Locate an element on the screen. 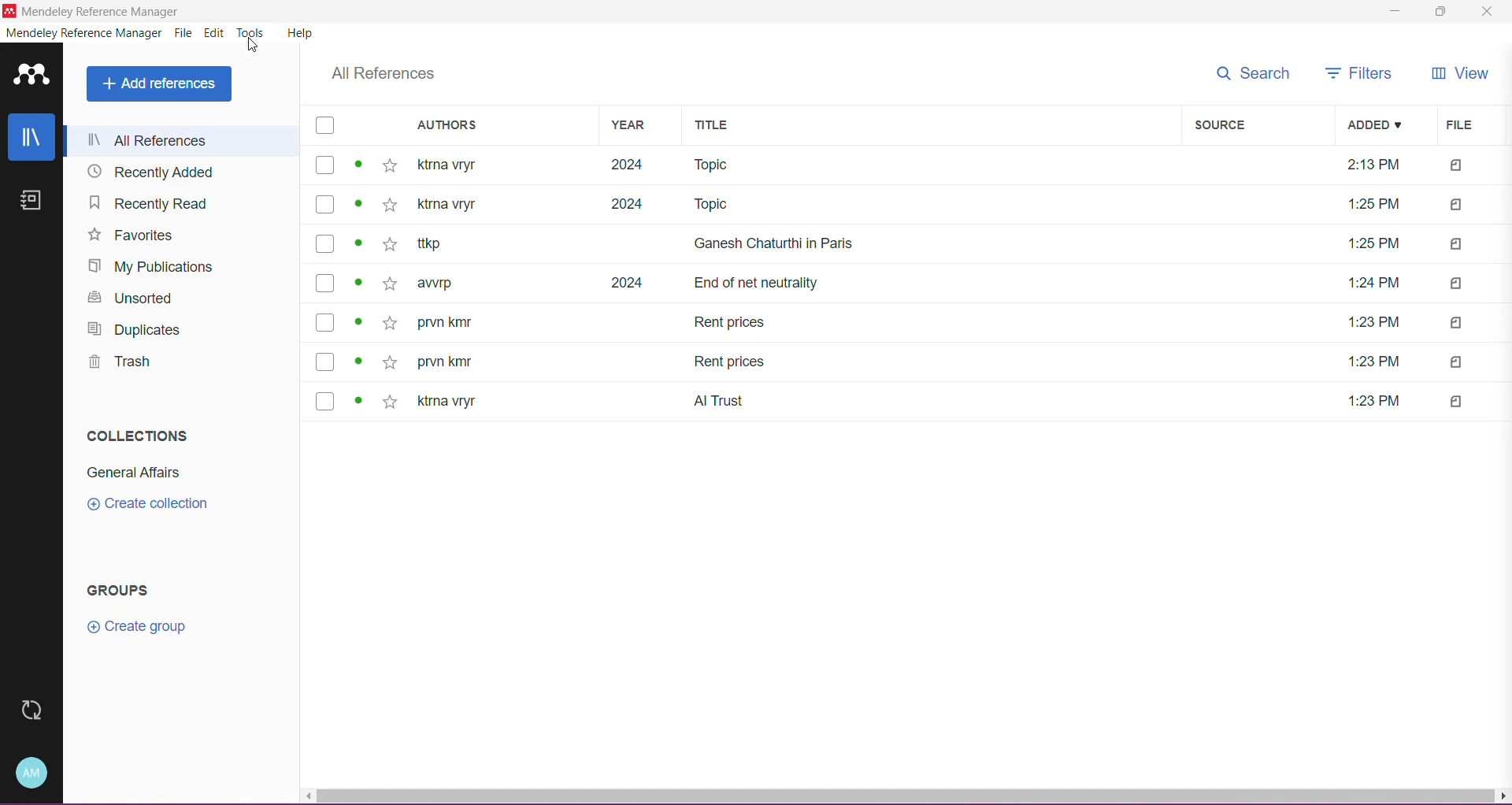  checkbox is located at coordinates (325, 205).